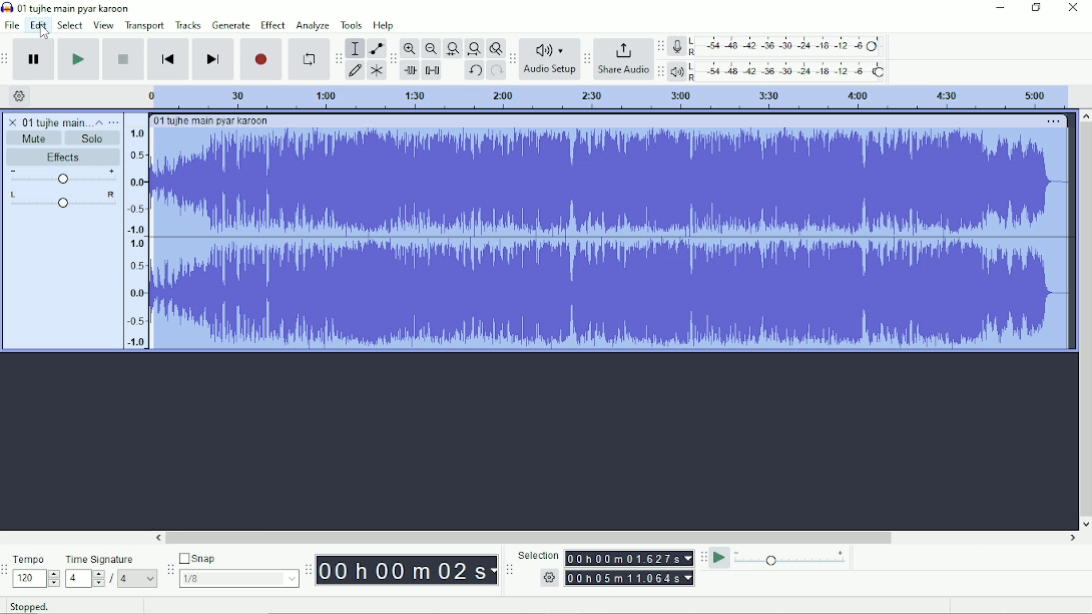 The image size is (1092, 614). I want to click on Audacity playback meter toolbar, so click(660, 73).